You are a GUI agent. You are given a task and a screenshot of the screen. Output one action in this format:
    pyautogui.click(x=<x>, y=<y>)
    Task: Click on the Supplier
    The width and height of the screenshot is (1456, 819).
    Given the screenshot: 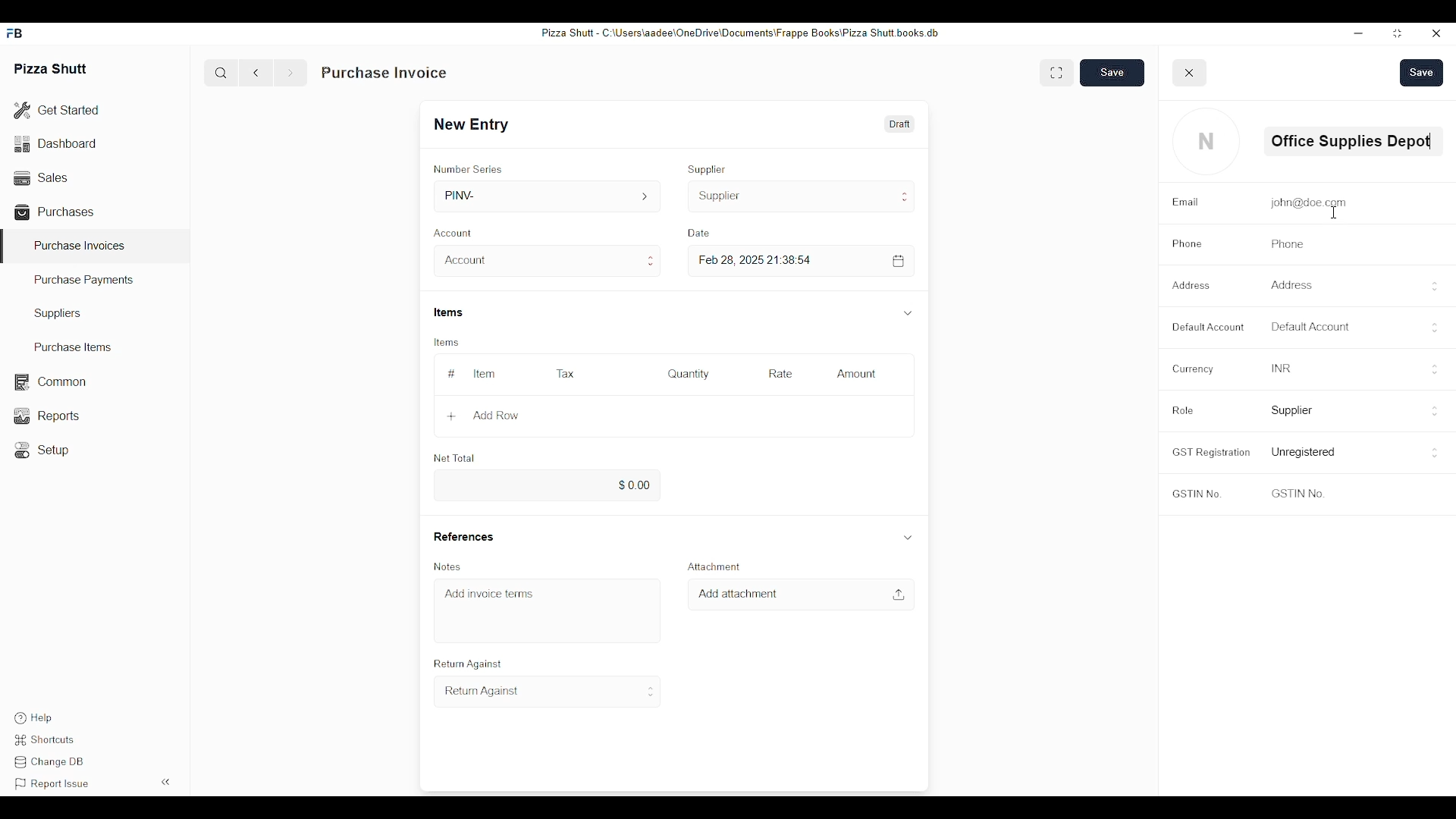 What is the action you would take?
    pyautogui.click(x=708, y=169)
    